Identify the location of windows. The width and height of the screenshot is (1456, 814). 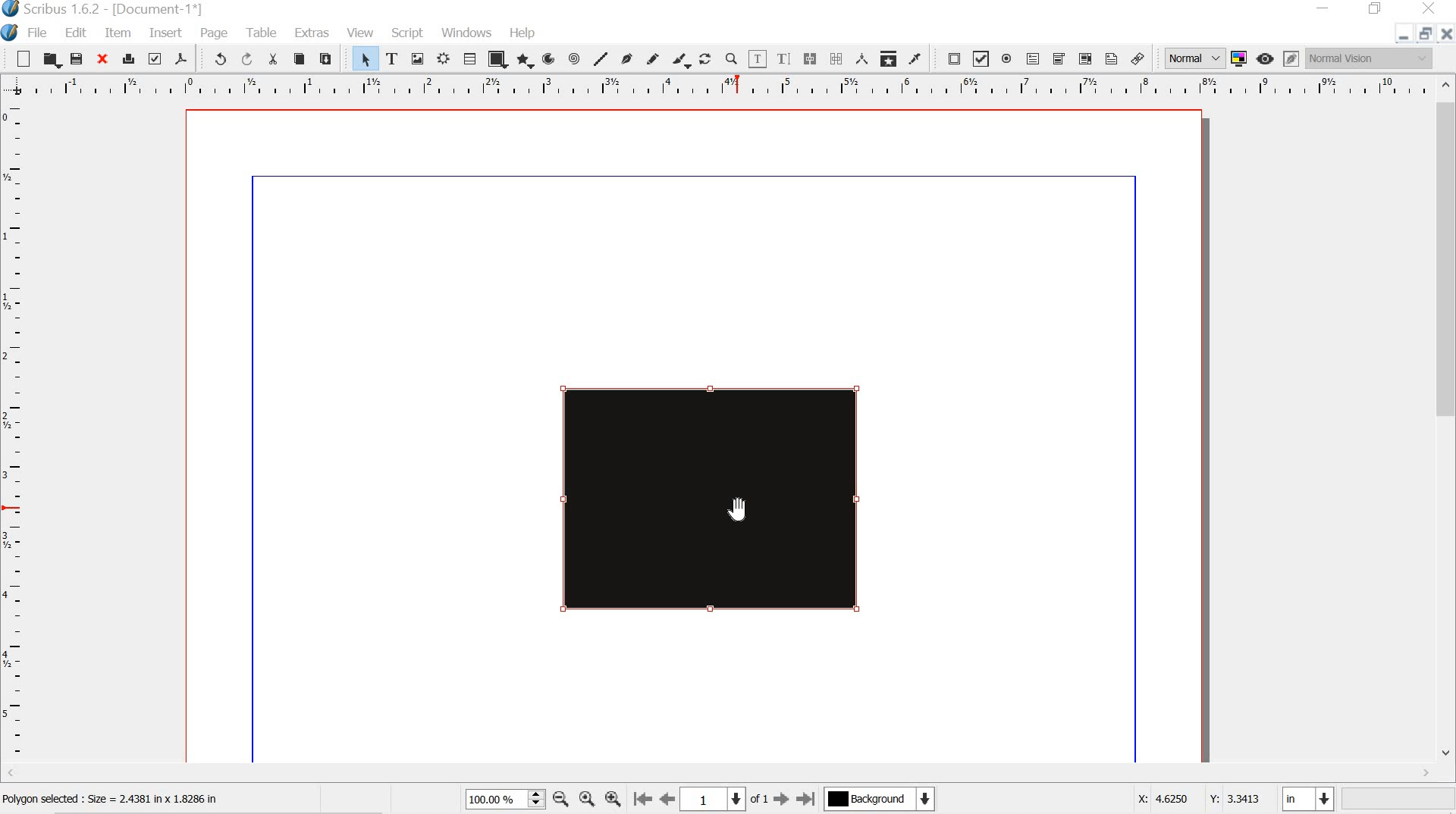
(468, 32).